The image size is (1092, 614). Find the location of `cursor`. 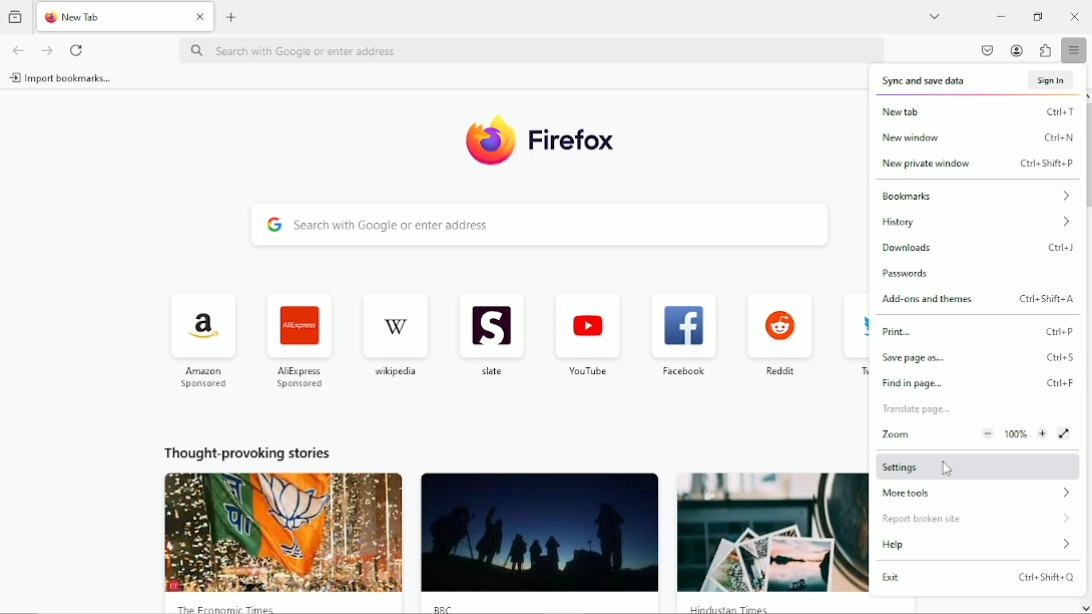

cursor is located at coordinates (951, 467).